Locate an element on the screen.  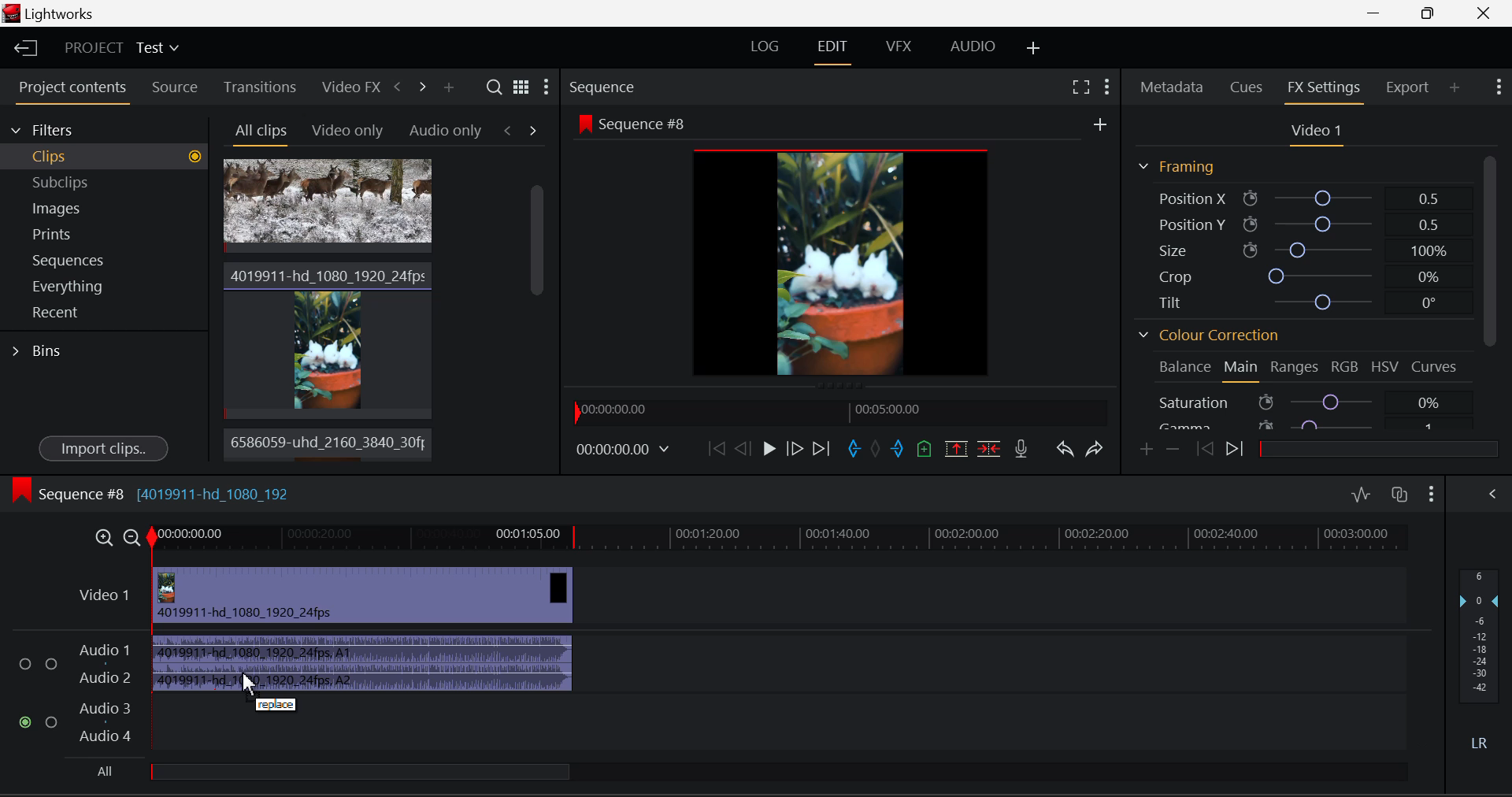
File 2 is located at coordinates (328, 338).